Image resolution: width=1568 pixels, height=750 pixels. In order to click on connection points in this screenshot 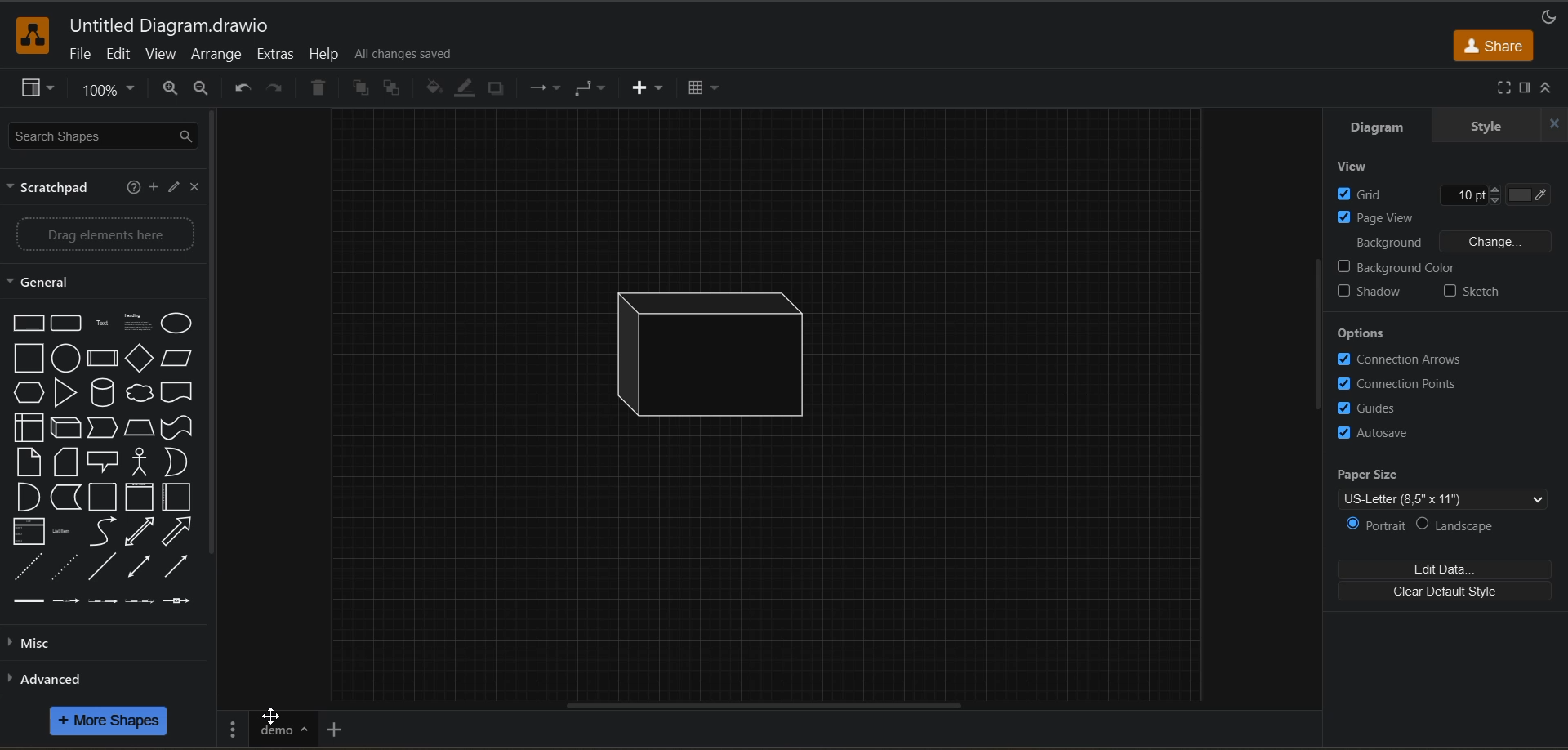, I will do `click(1401, 384)`.